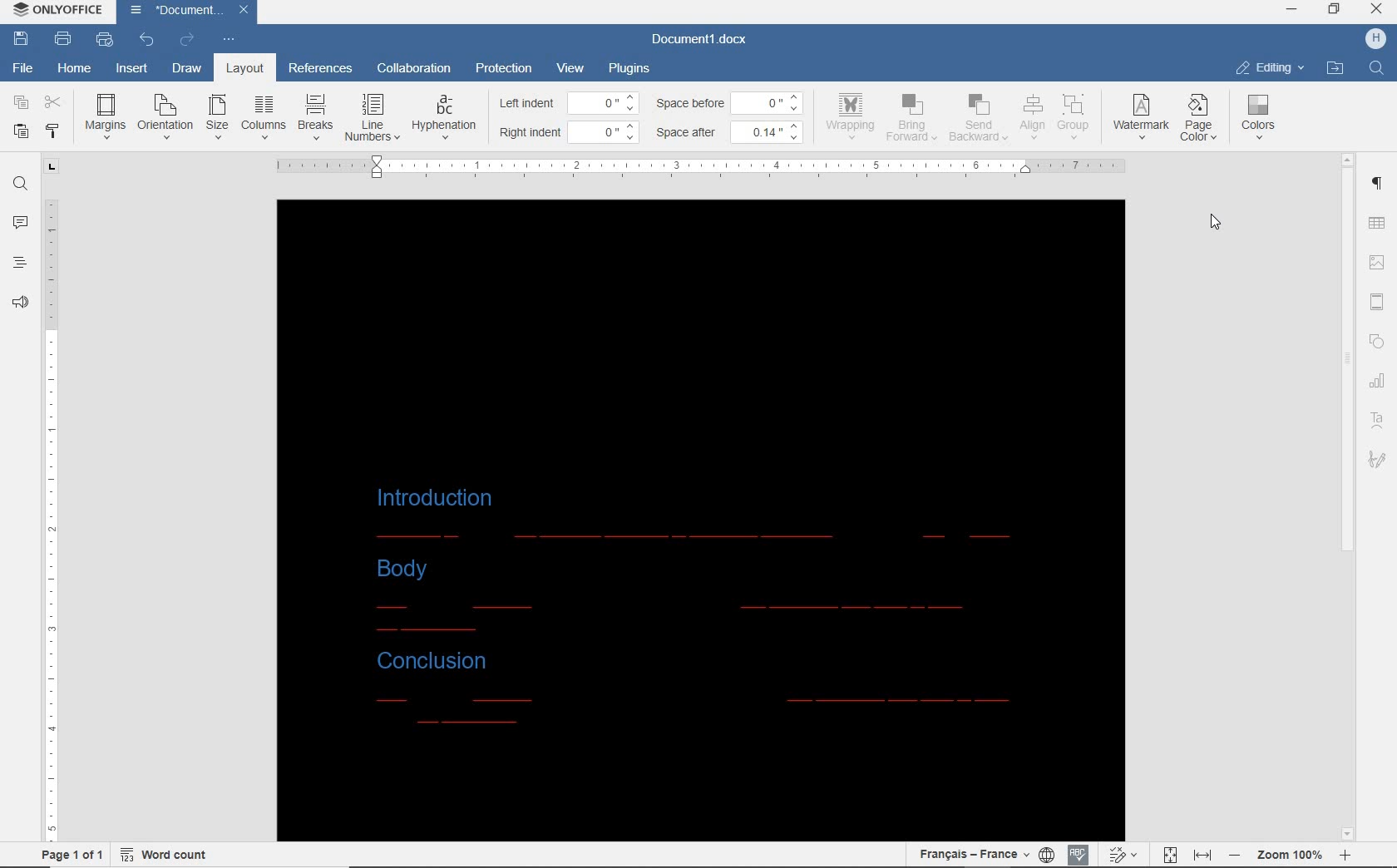 Image resolution: width=1397 pixels, height=868 pixels. I want to click on protection, so click(503, 67).